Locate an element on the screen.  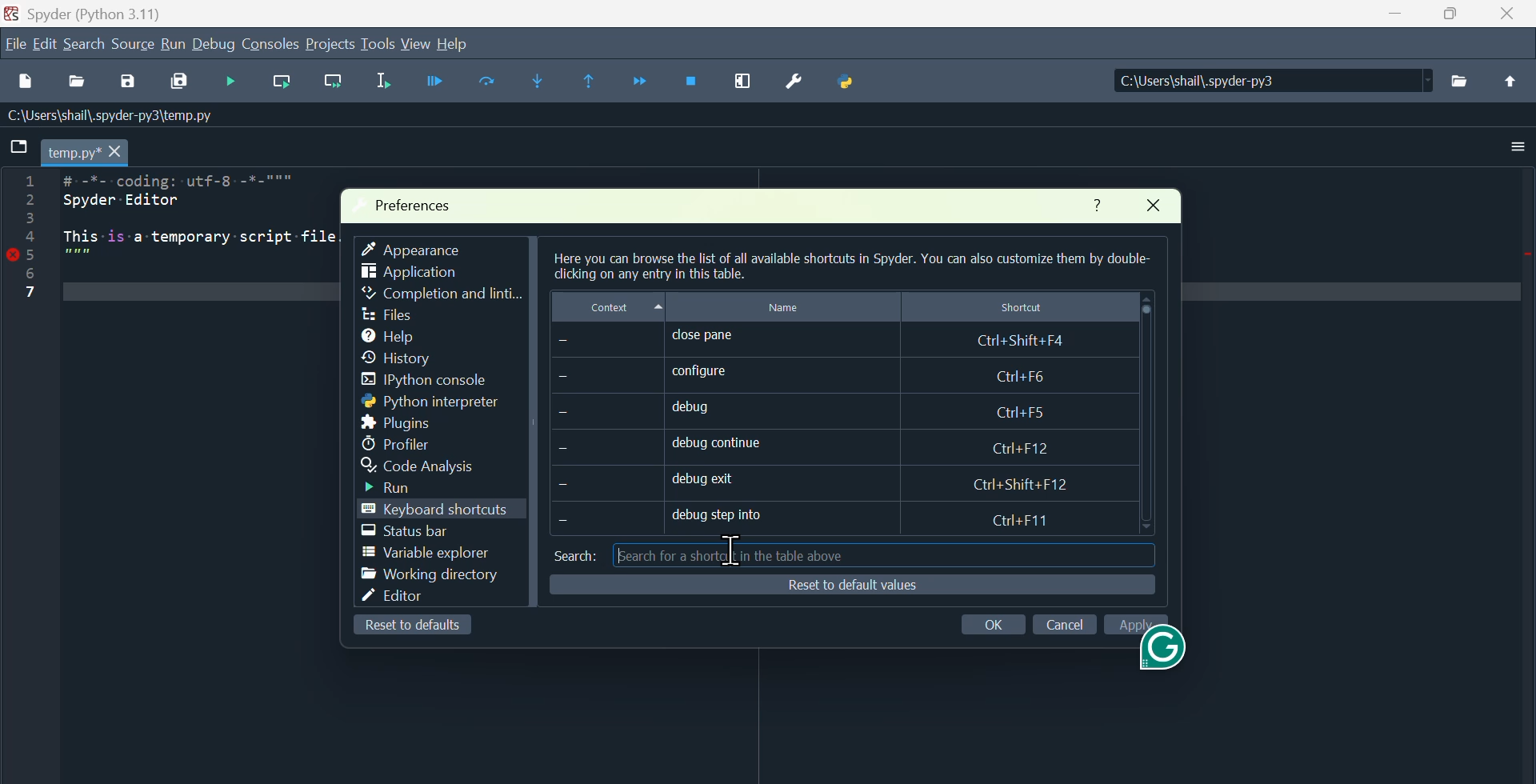
Plugins is located at coordinates (398, 423).